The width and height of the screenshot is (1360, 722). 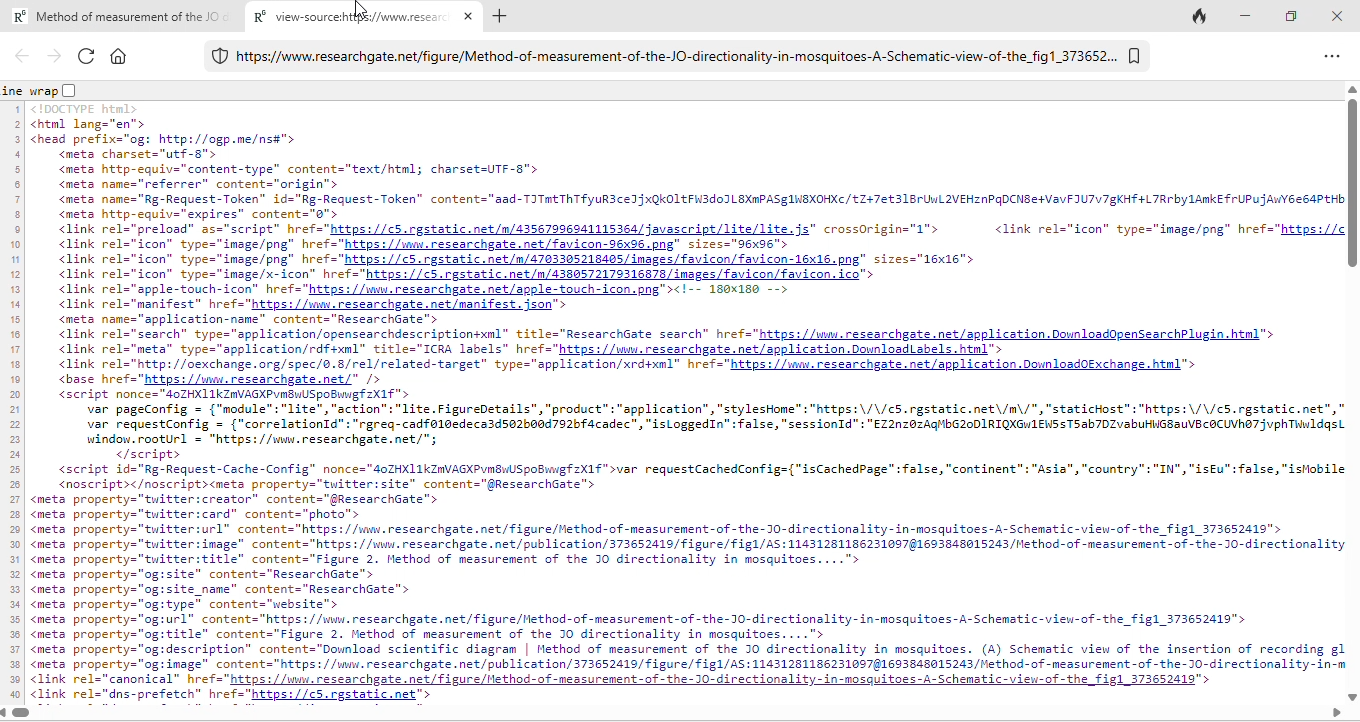 I want to click on reload, so click(x=88, y=58).